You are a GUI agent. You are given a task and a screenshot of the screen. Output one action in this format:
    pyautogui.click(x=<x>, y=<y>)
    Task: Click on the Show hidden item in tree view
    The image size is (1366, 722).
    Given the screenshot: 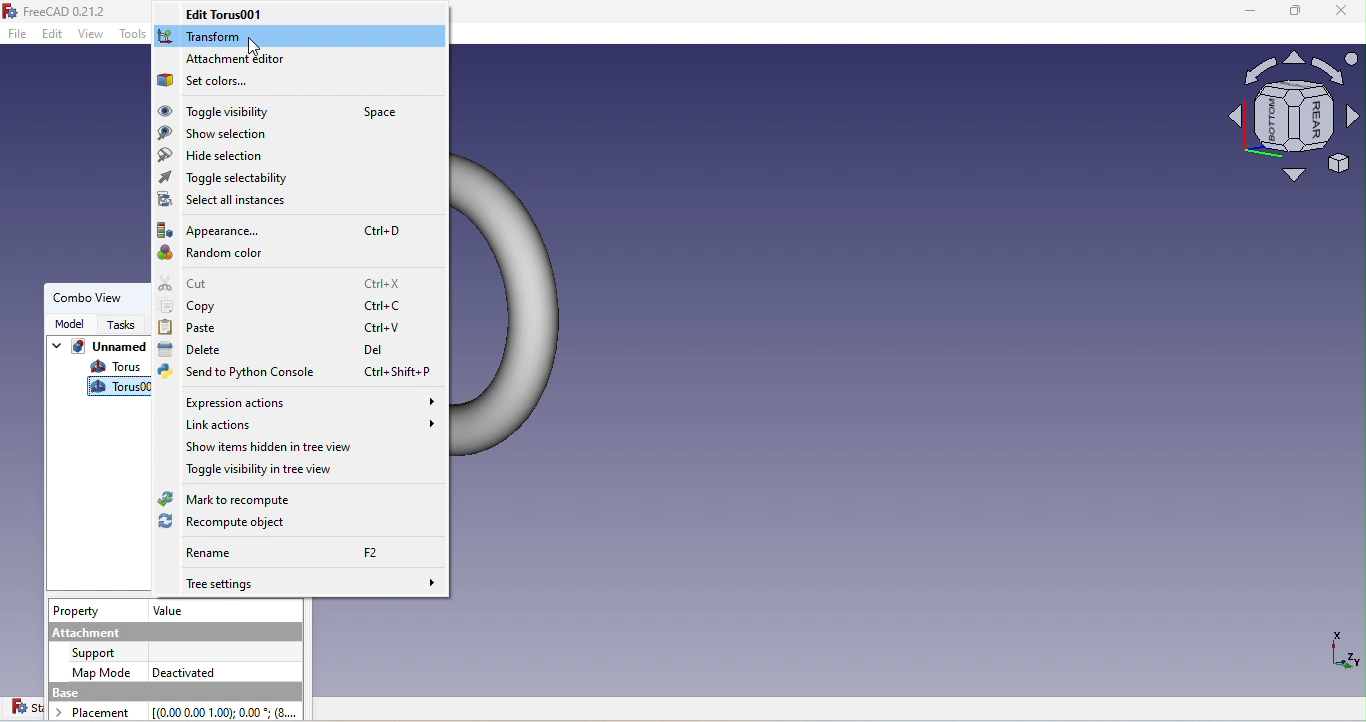 What is the action you would take?
    pyautogui.click(x=284, y=449)
    